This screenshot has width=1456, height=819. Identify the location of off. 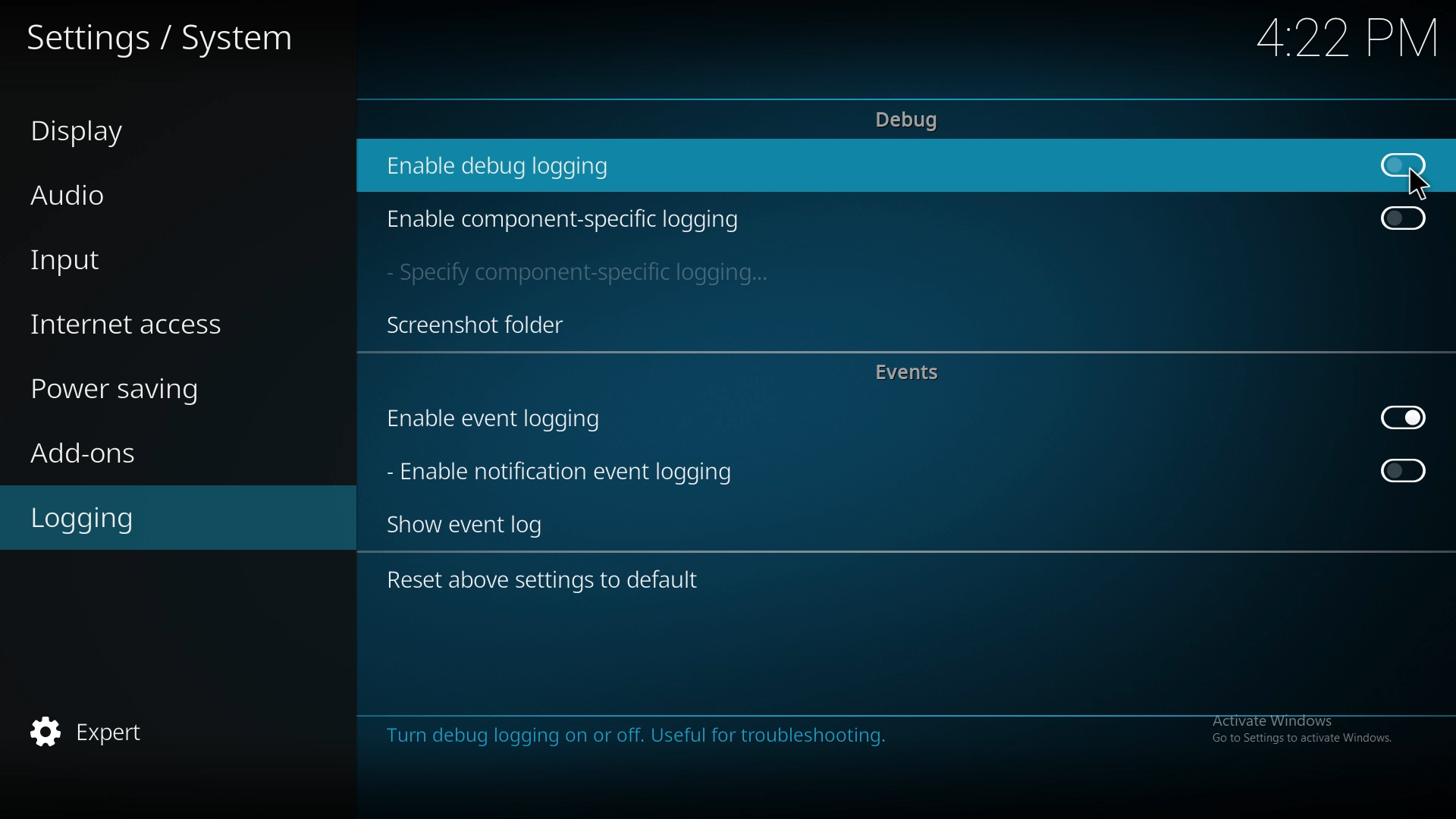
(1401, 163).